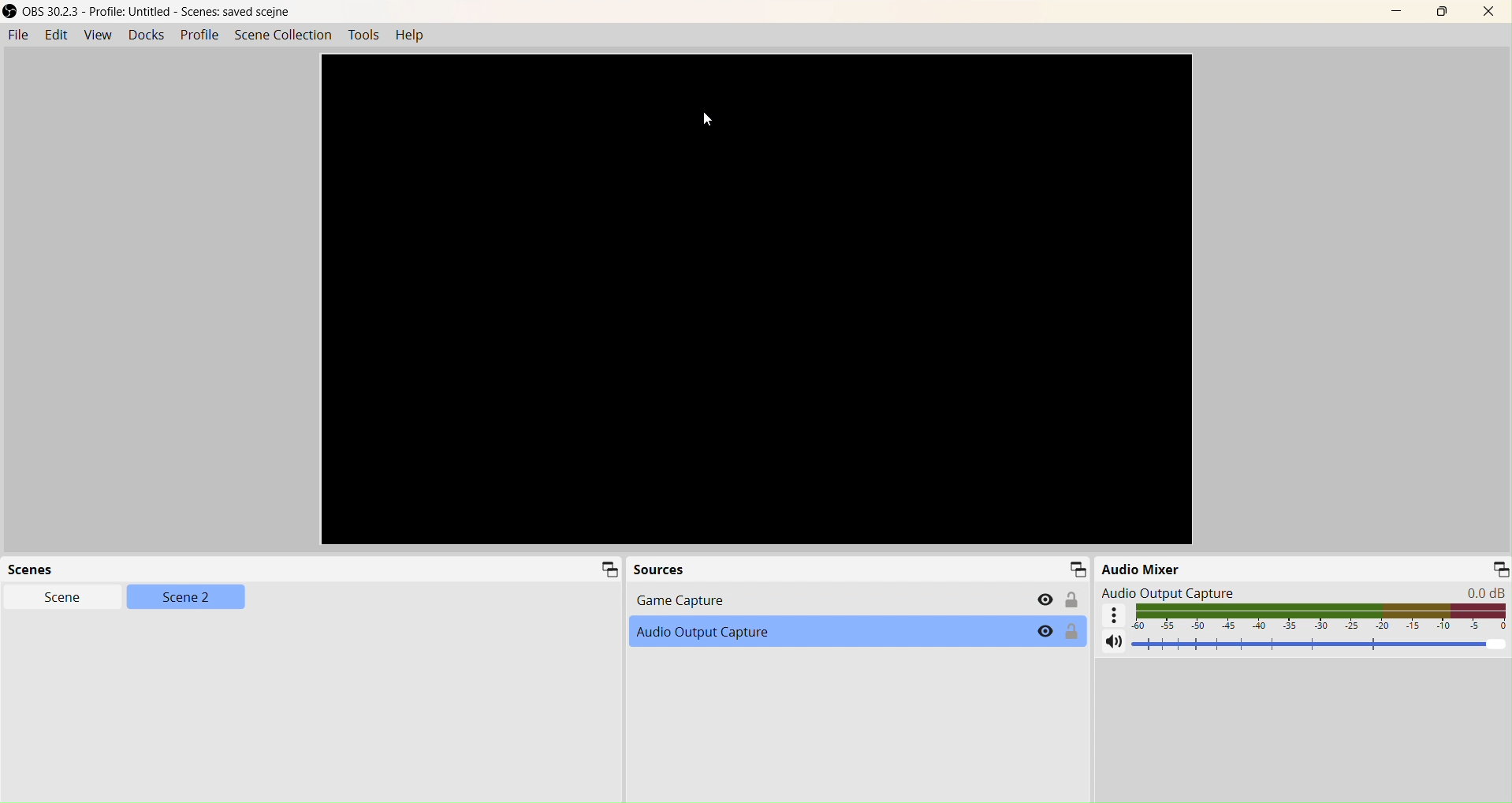  What do you see at coordinates (710, 121) in the screenshot?
I see `Cursor` at bounding box center [710, 121].